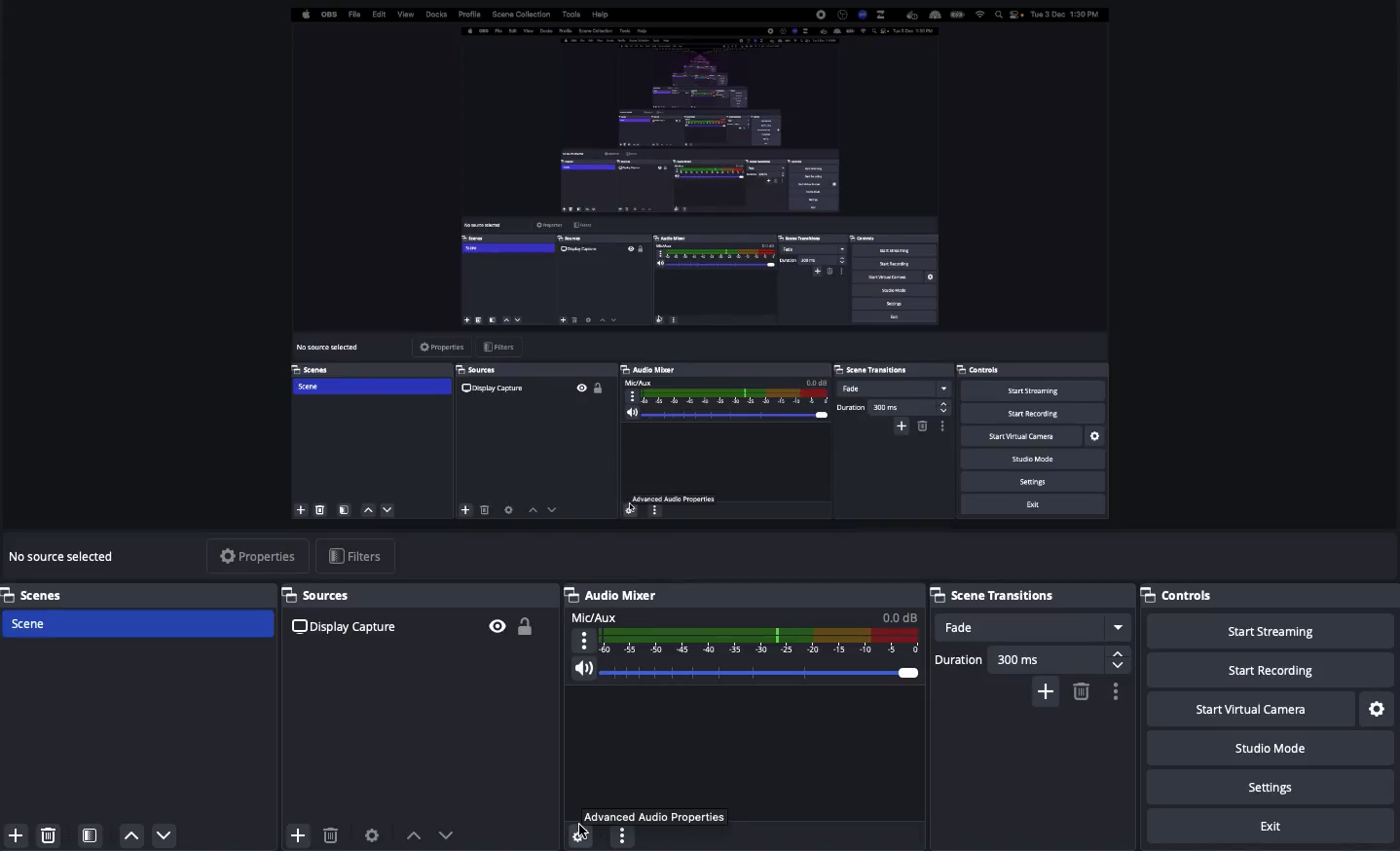  What do you see at coordinates (64, 555) in the screenshot?
I see `No sources selected` at bounding box center [64, 555].